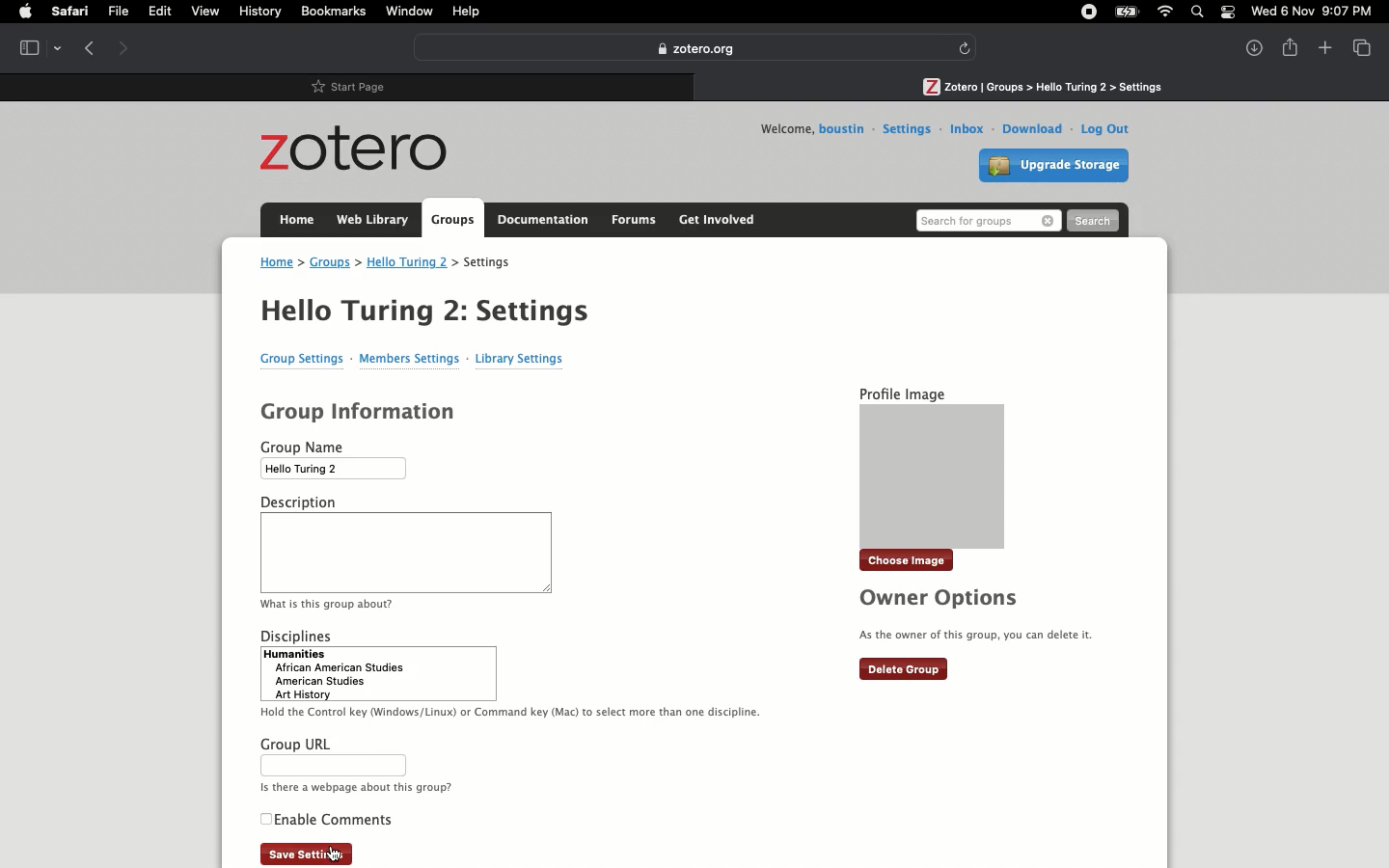 Image resolution: width=1389 pixels, height=868 pixels. I want to click on Owner options, so click(978, 613).